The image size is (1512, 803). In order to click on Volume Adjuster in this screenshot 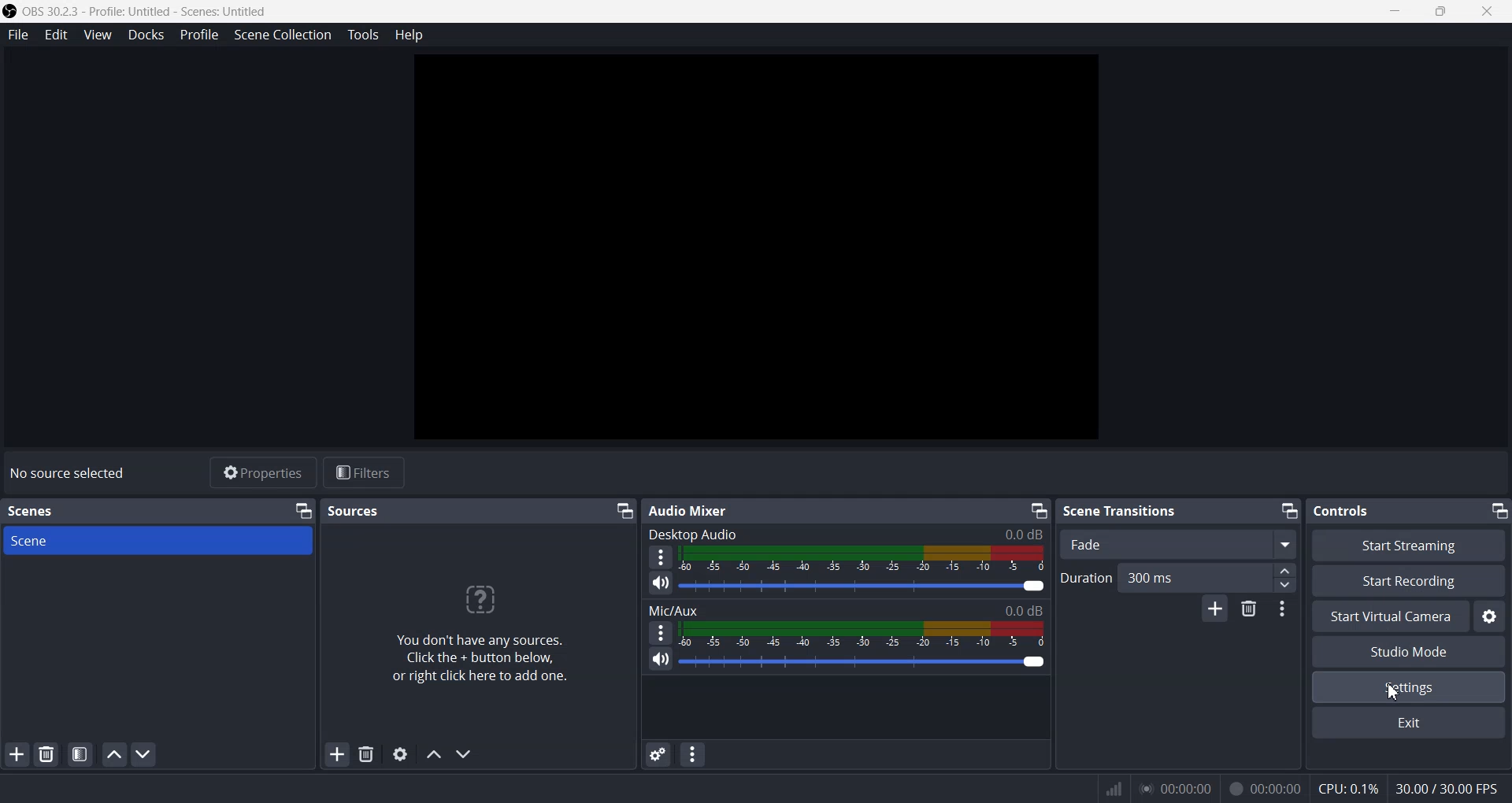, I will do `click(865, 587)`.